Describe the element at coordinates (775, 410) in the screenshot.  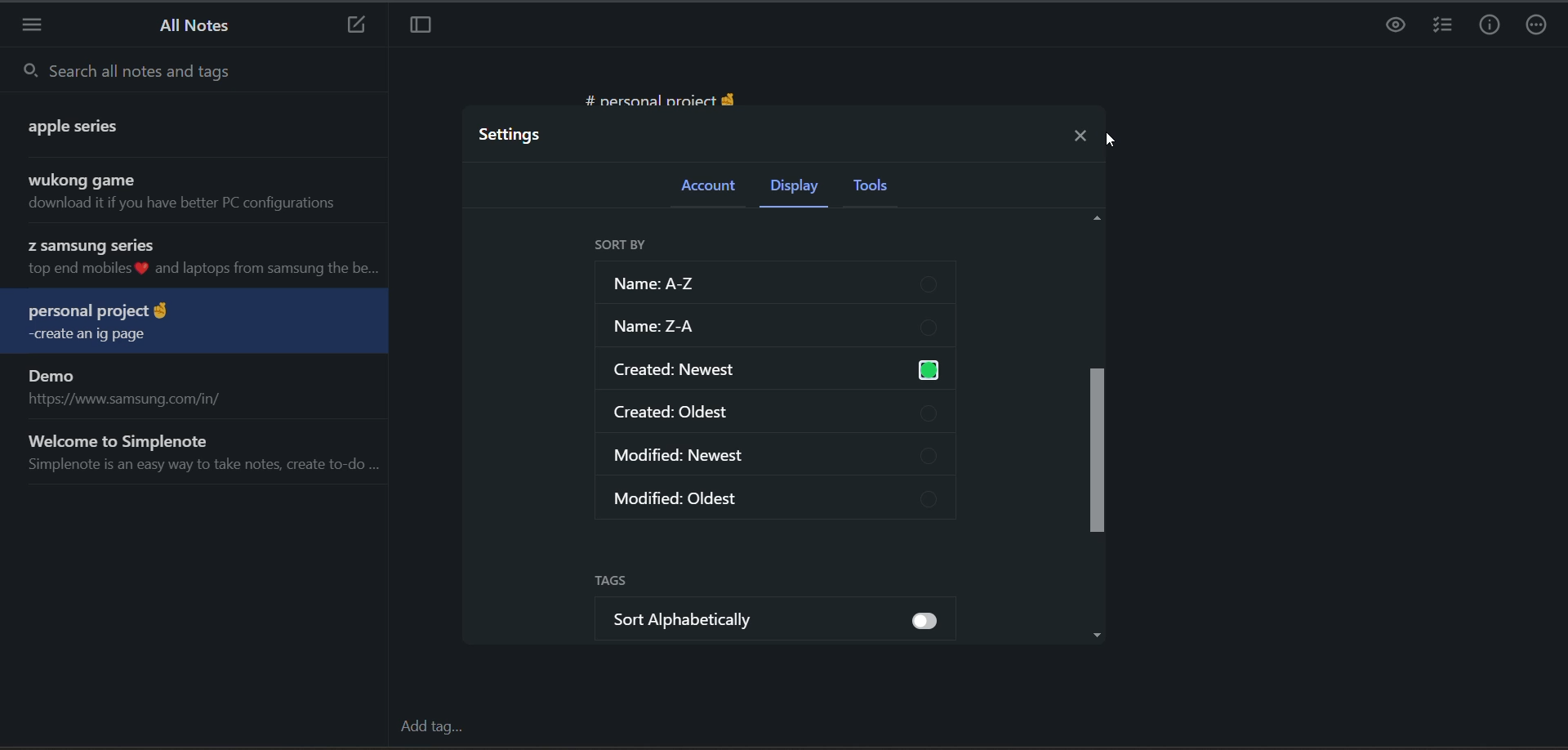
I see `created oldest` at that location.